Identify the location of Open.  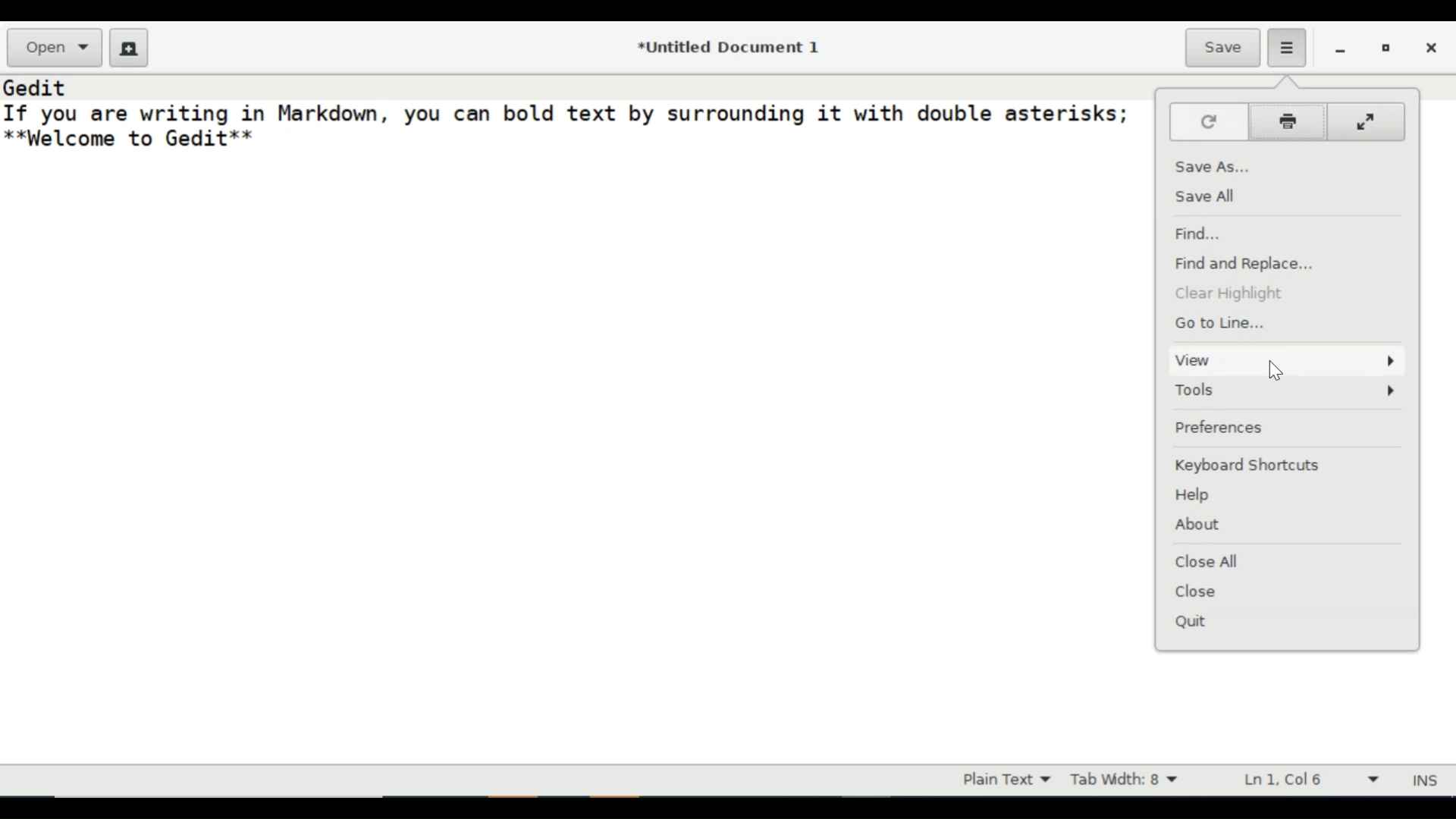
(54, 47).